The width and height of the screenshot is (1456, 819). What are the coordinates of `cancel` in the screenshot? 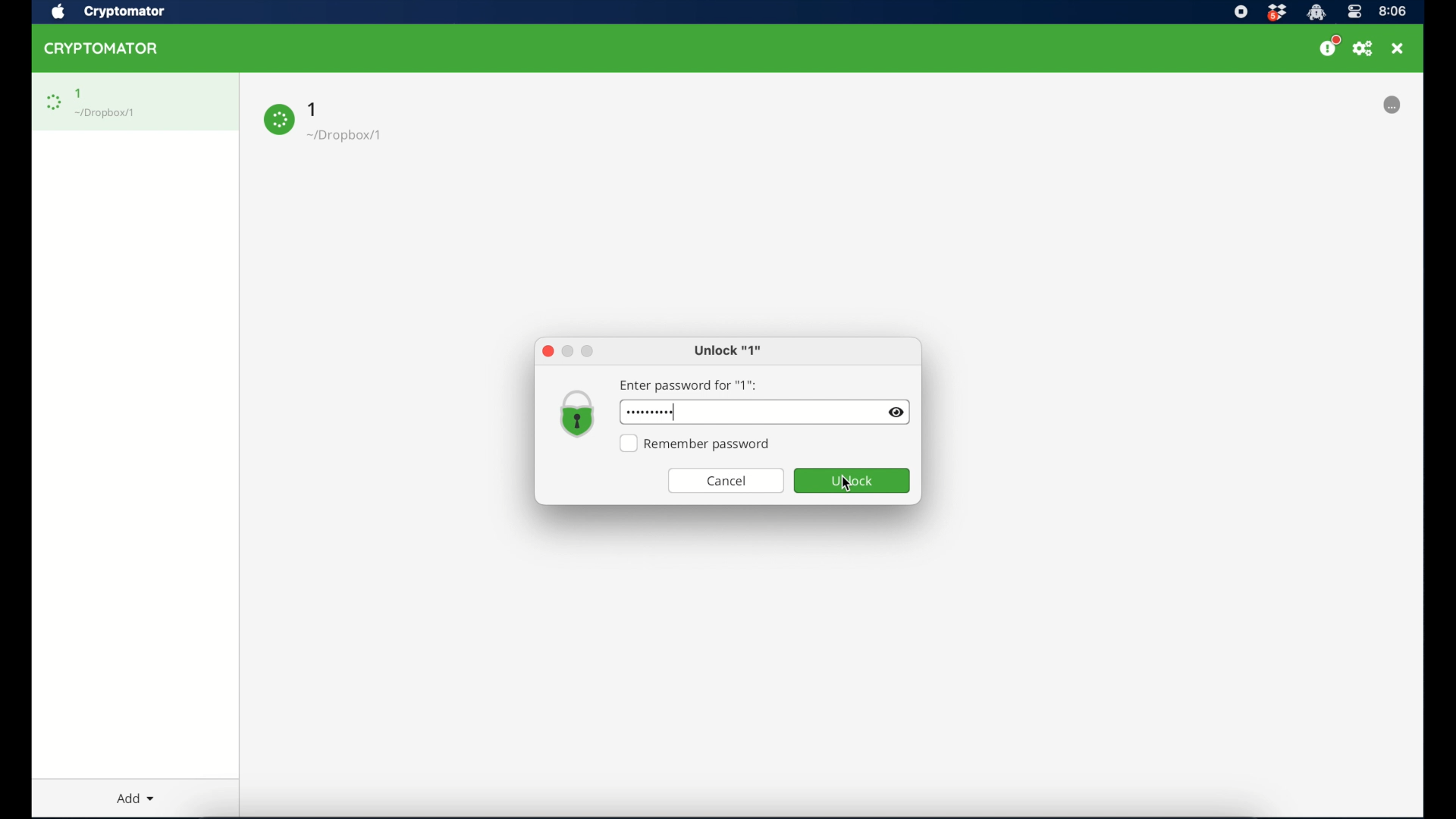 It's located at (726, 482).